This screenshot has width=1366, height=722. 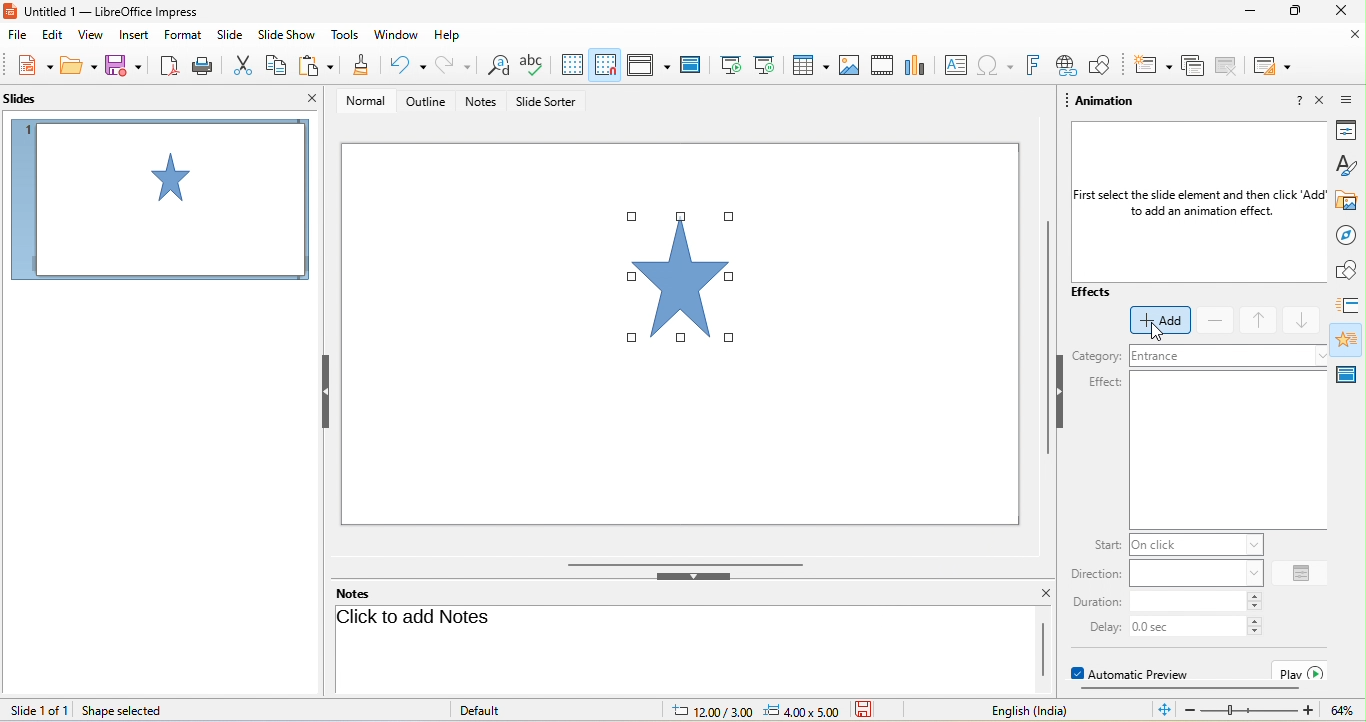 I want to click on select add, so click(x=1160, y=320).